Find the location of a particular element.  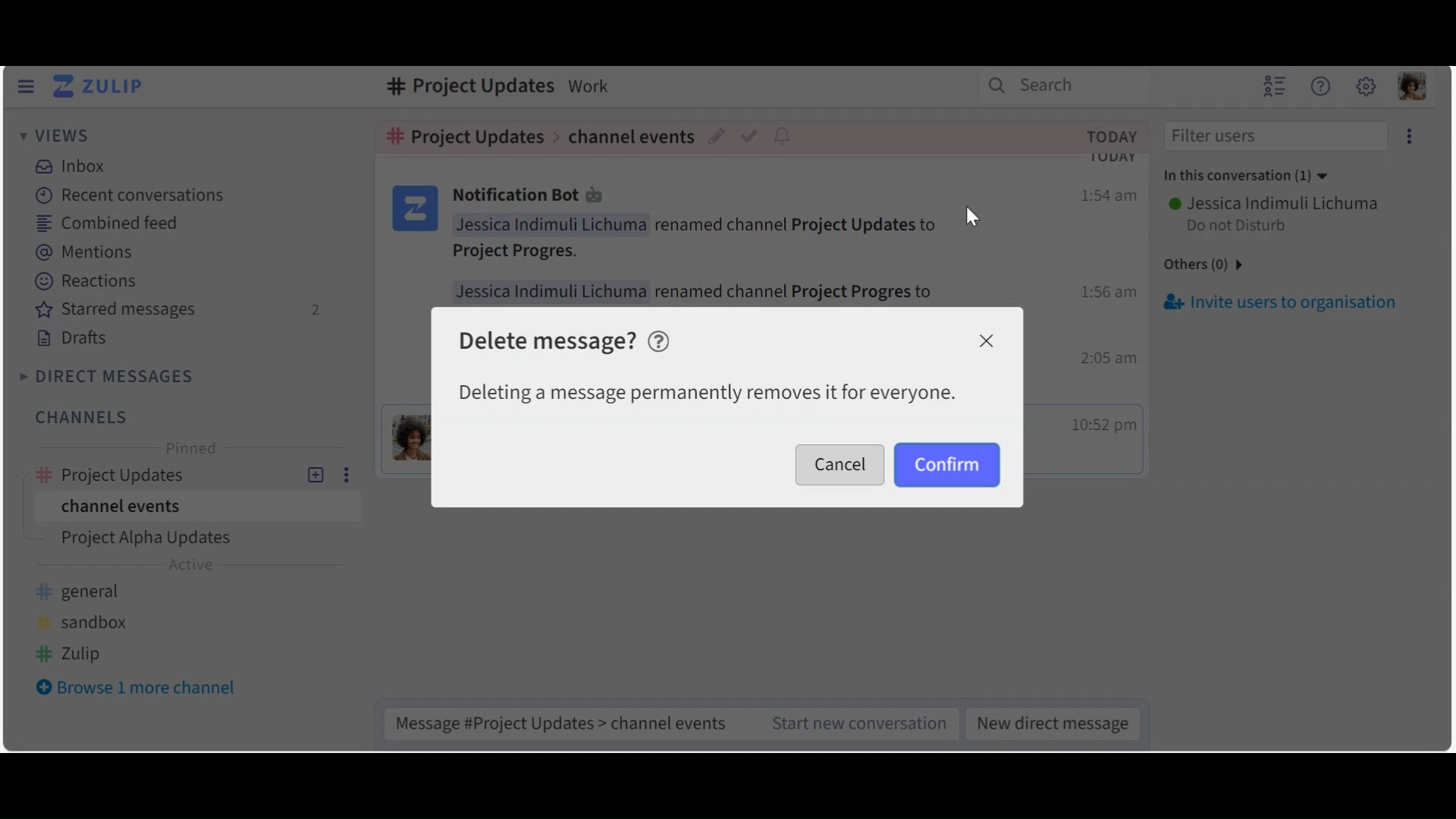

Channel topic is located at coordinates (466, 136).